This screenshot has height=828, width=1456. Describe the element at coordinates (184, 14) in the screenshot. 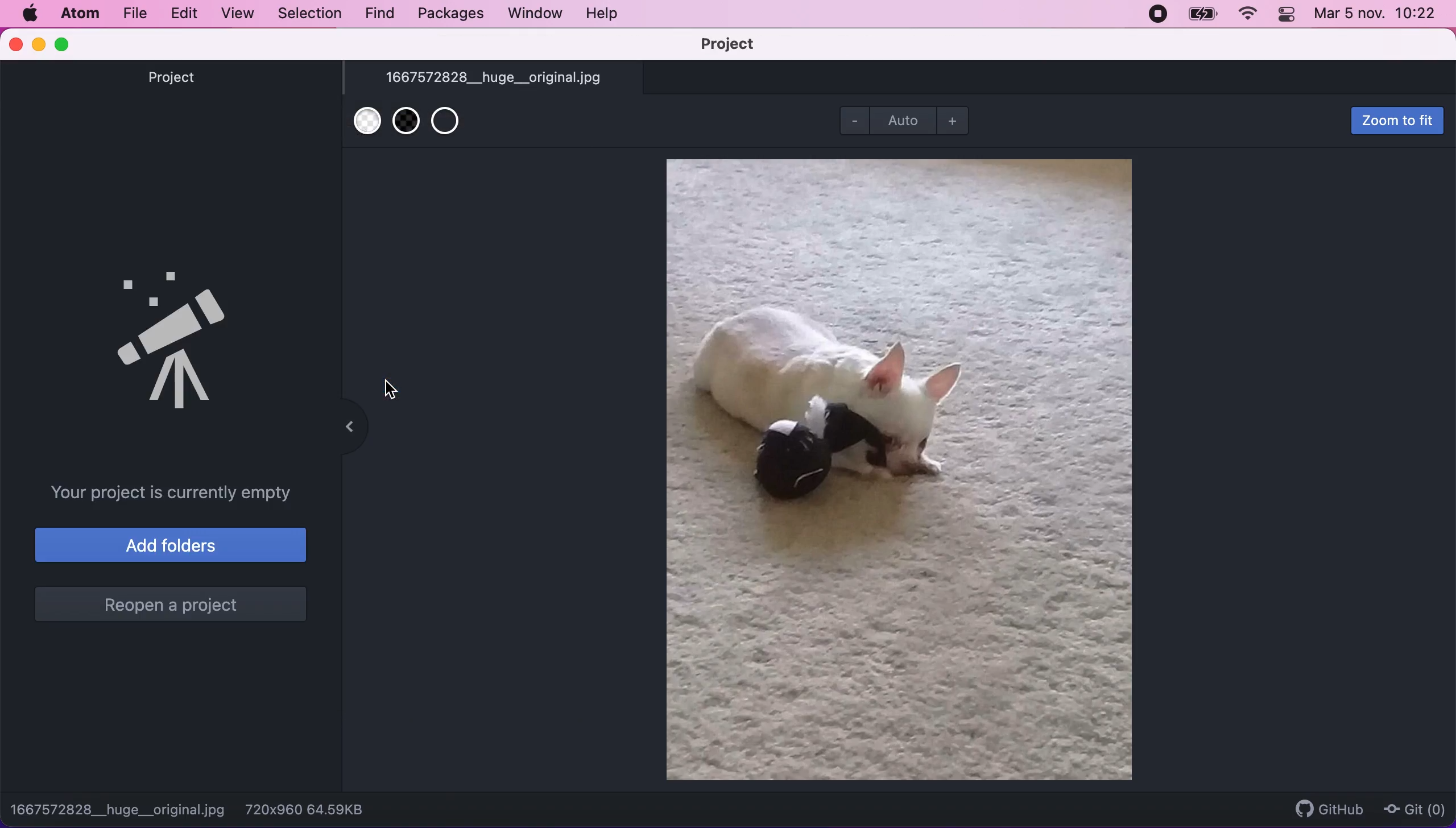

I see `edit` at that location.